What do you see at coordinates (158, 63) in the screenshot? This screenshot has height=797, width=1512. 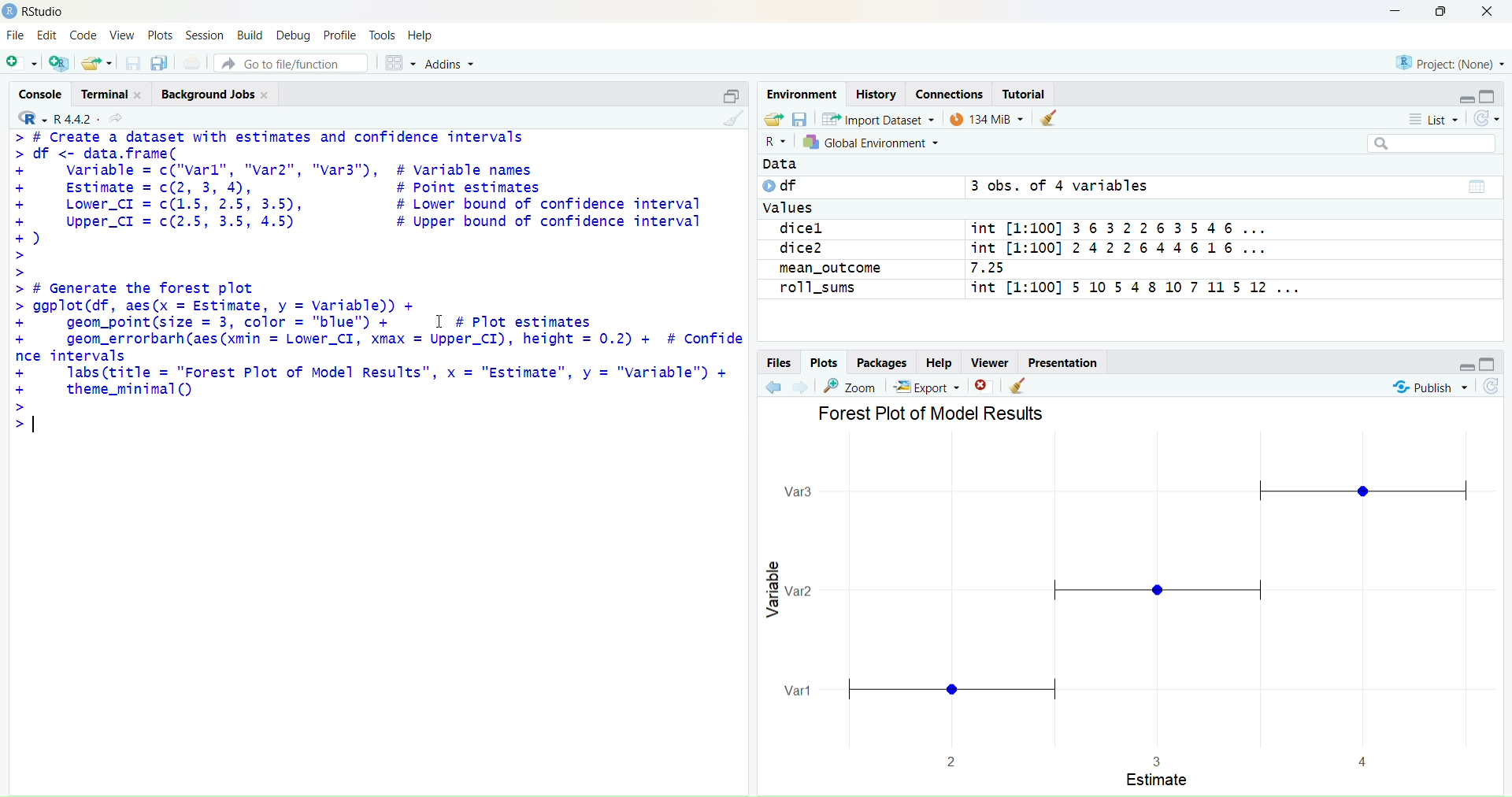 I see `save all open document` at bounding box center [158, 63].